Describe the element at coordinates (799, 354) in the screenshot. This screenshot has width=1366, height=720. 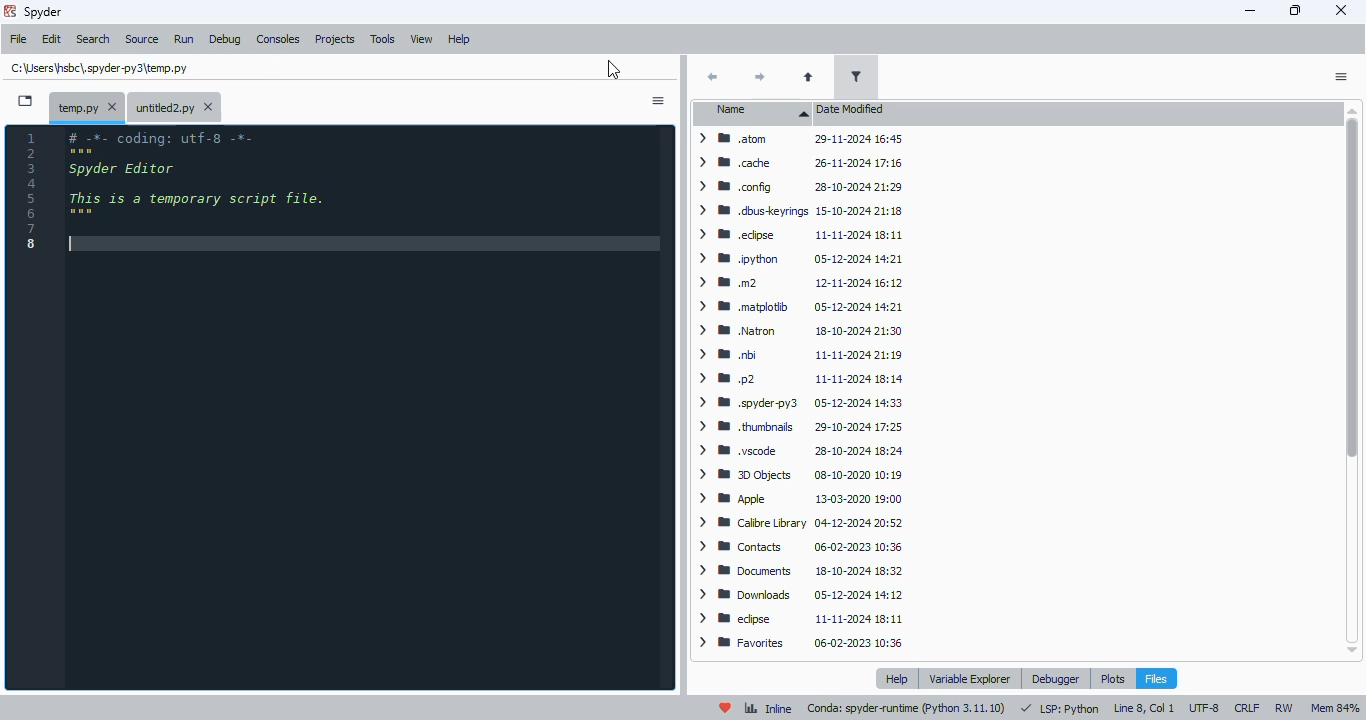
I see `> Wm bi 11-11-2024 21:19` at that location.